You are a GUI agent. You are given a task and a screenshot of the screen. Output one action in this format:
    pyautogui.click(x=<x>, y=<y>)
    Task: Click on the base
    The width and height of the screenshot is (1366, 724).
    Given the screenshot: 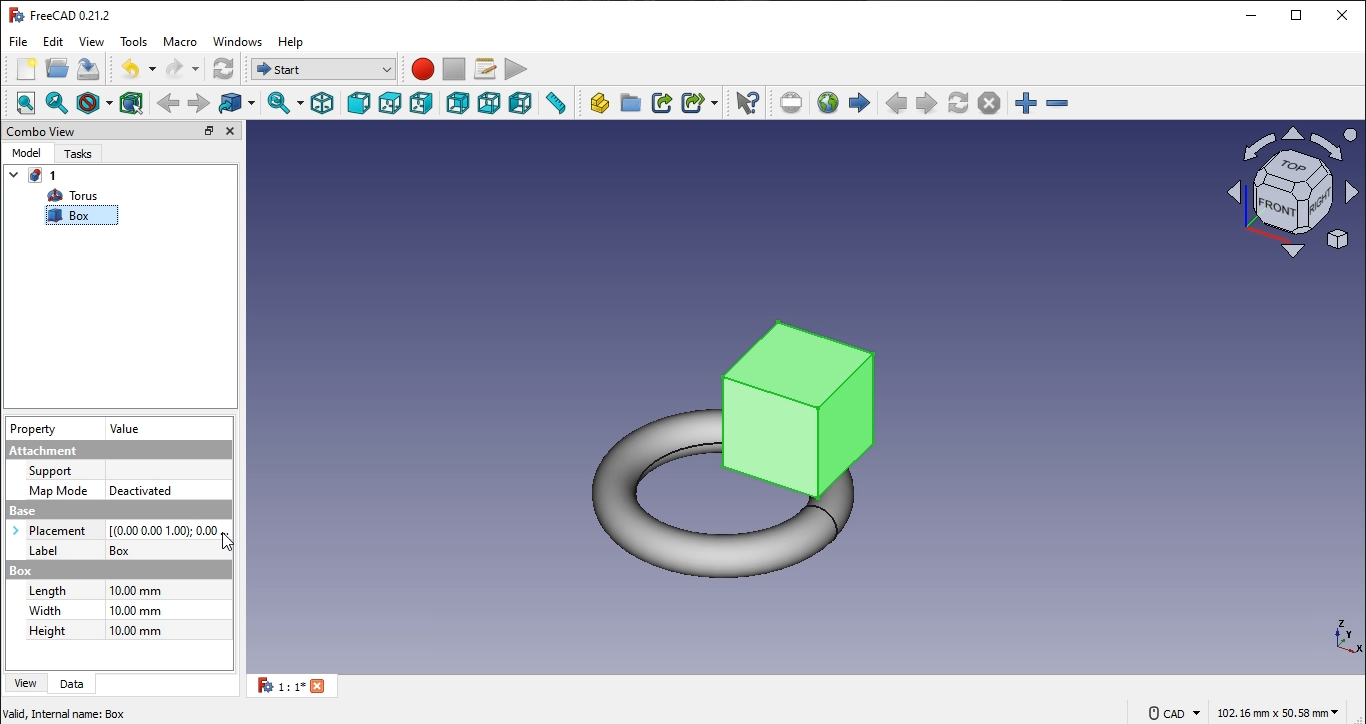 What is the action you would take?
    pyautogui.click(x=115, y=510)
    